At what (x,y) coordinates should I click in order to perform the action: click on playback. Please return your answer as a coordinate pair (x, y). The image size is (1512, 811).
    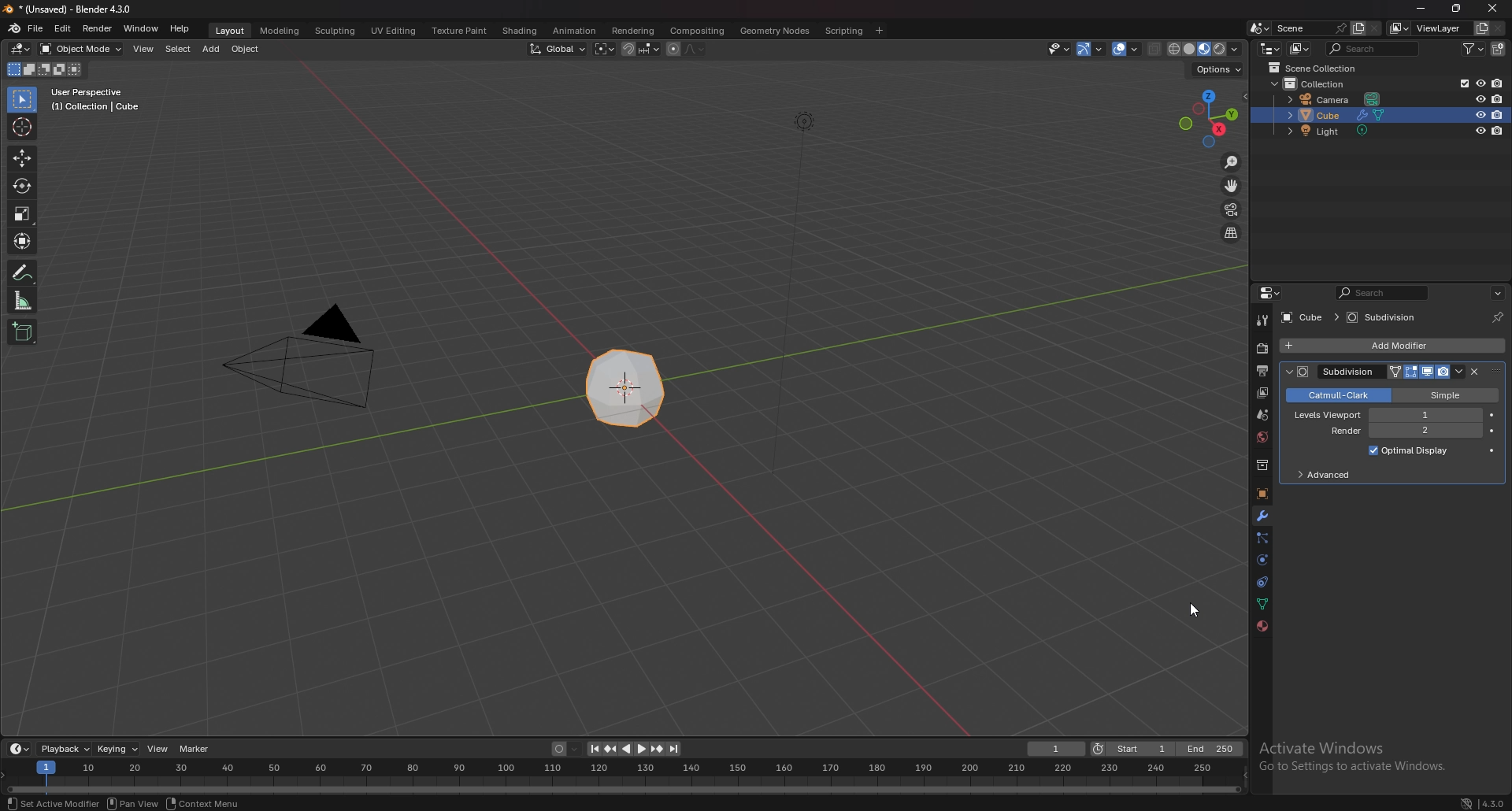
    Looking at the image, I should click on (67, 749).